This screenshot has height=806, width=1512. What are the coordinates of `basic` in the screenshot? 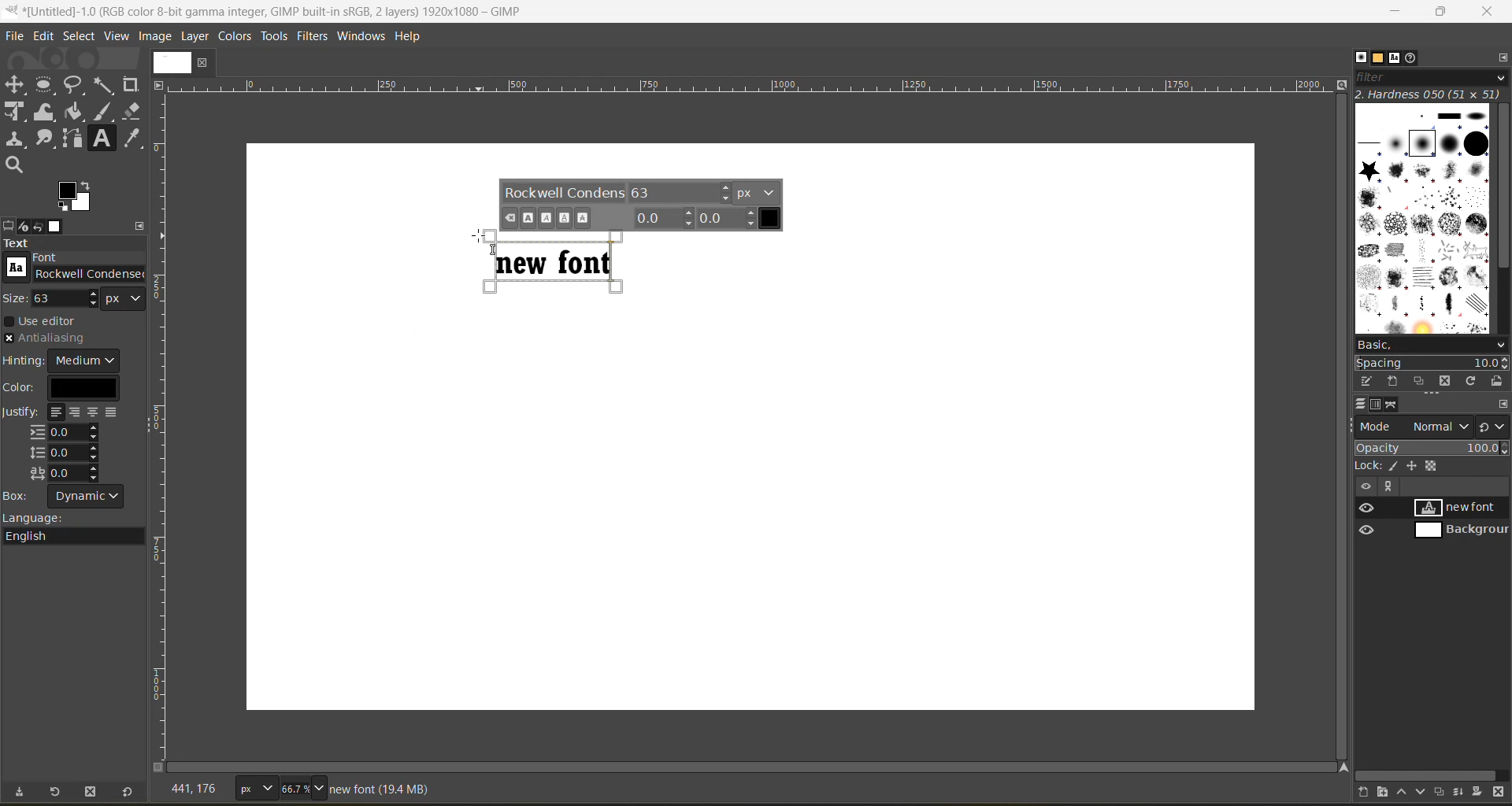 It's located at (1432, 346).